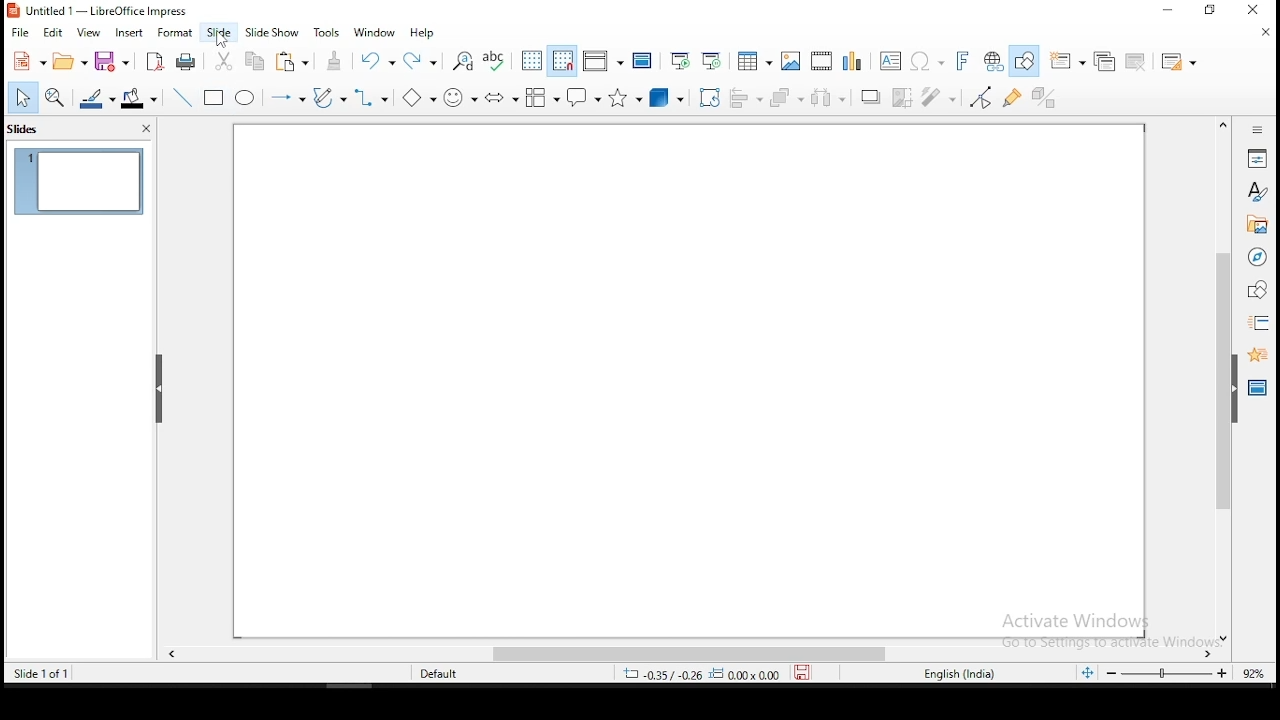 Image resolution: width=1280 pixels, height=720 pixels. I want to click on 0.00x0.00, so click(746, 675).